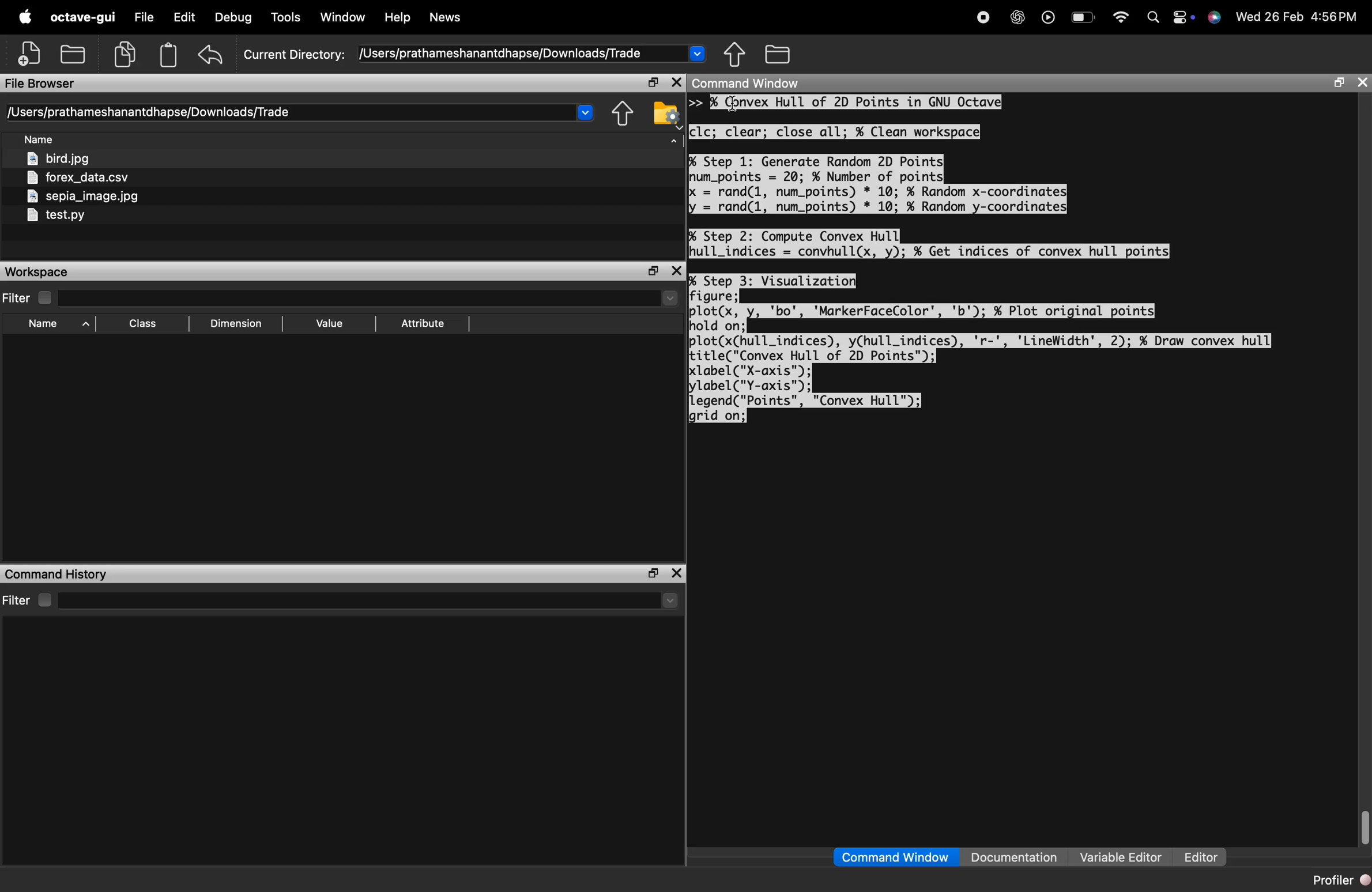  What do you see at coordinates (342, 16) in the screenshot?
I see `Window` at bounding box center [342, 16].